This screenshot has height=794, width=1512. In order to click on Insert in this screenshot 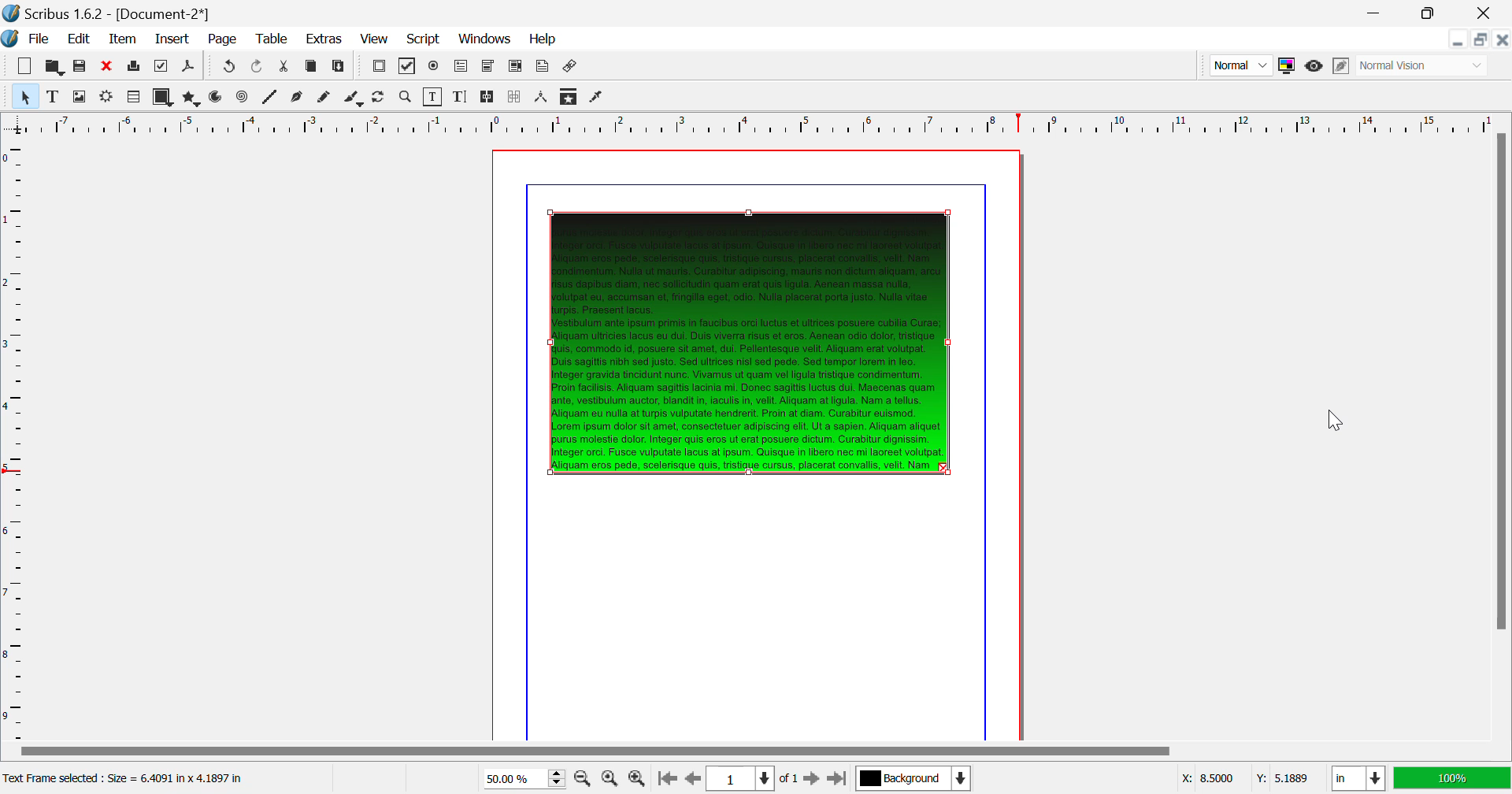, I will do `click(173, 40)`.